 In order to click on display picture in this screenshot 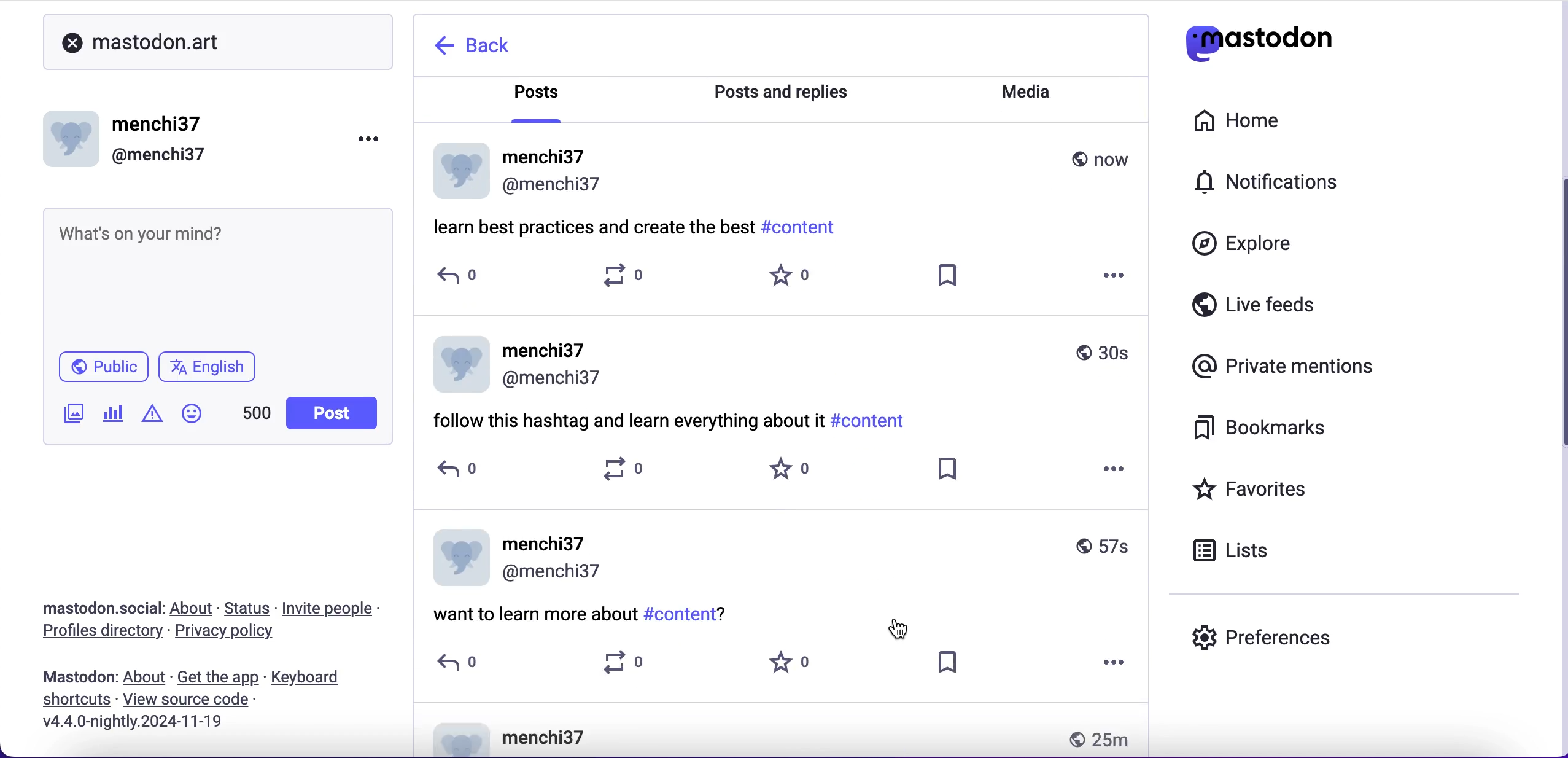, I will do `click(455, 364)`.